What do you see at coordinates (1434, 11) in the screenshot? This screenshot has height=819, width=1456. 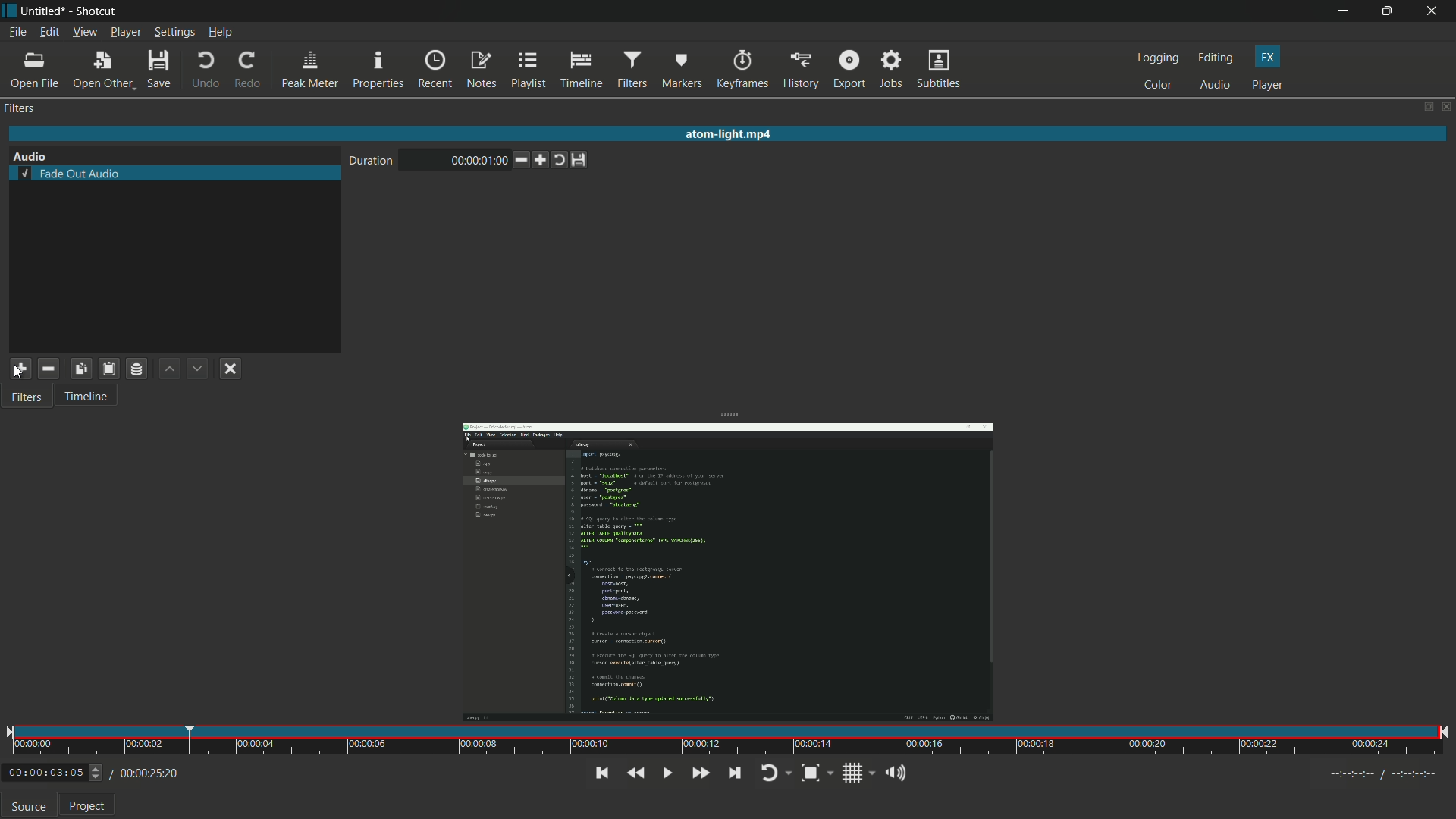 I see `close app` at bounding box center [1434, 11].